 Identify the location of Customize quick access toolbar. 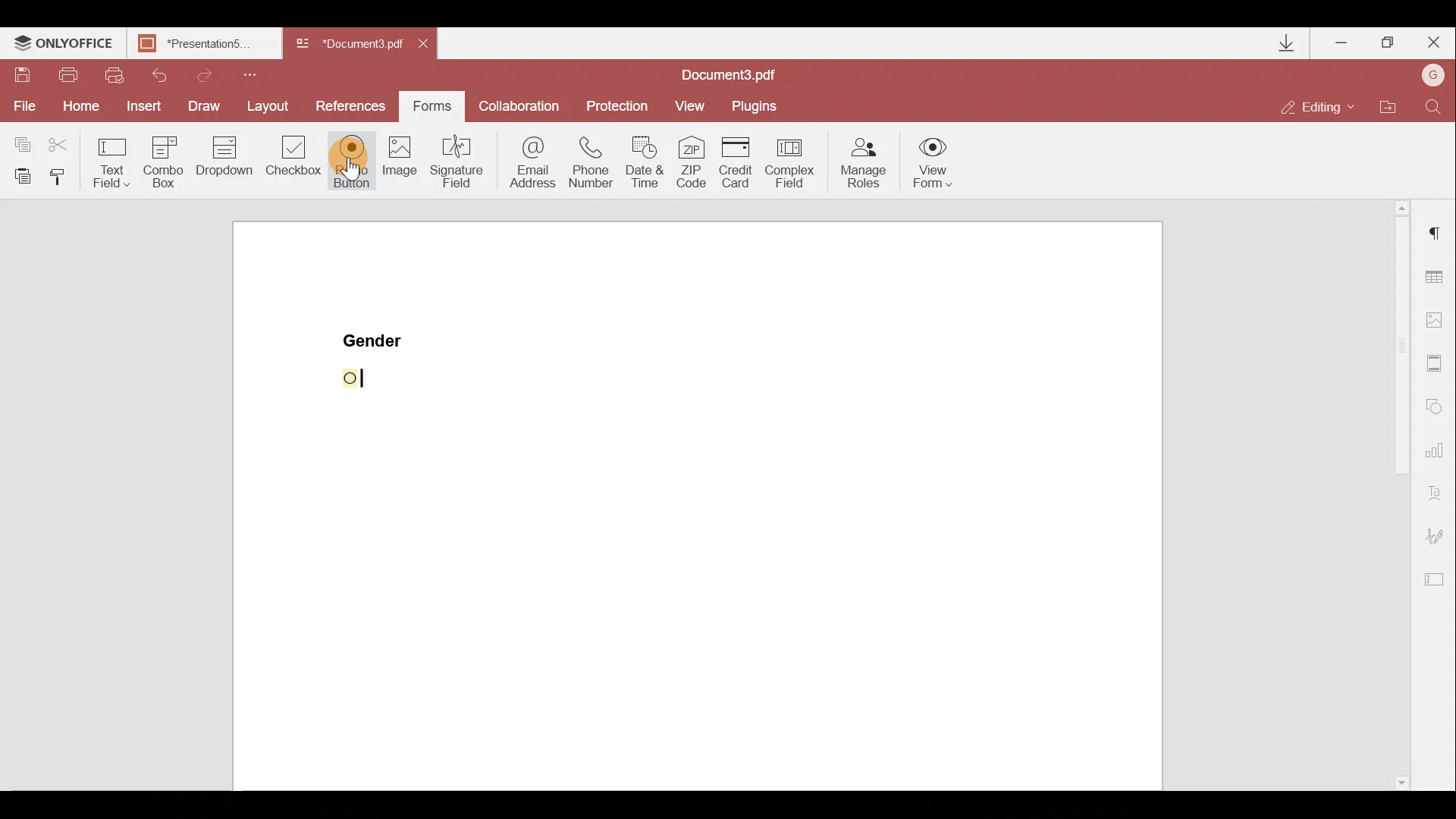
(259, 73).